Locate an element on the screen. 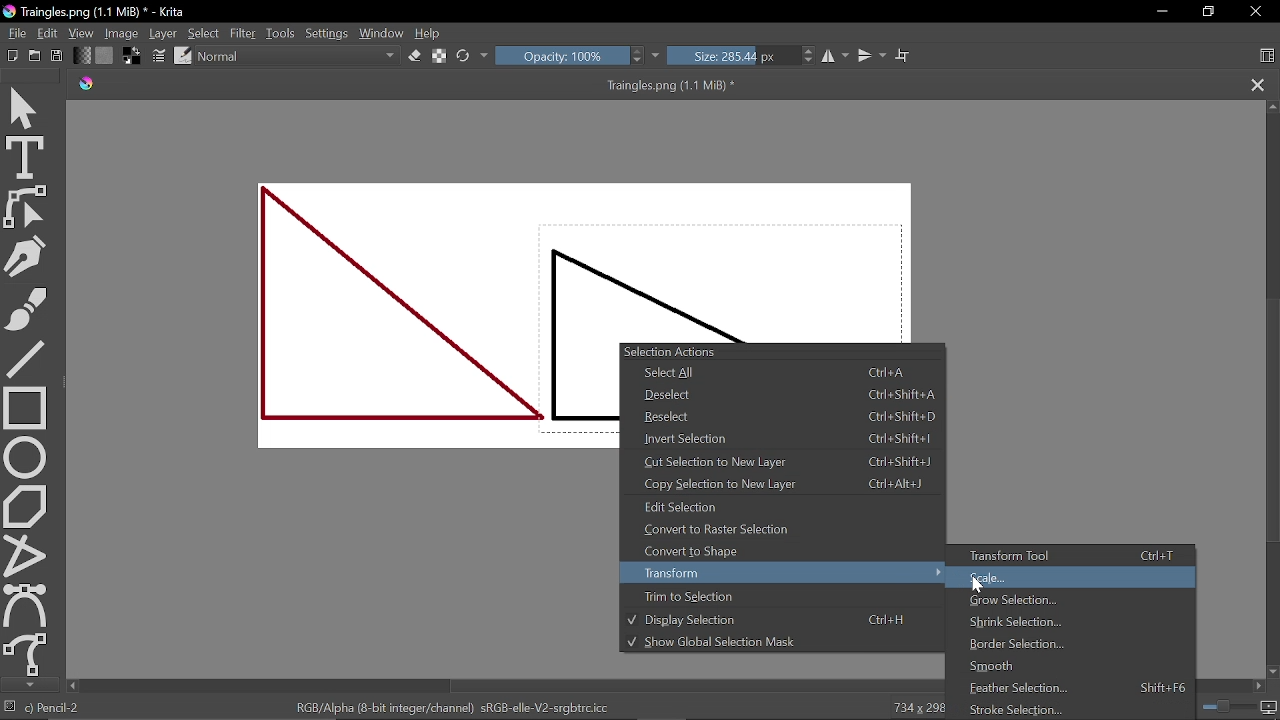 The image size is (1280, 720). Cursor is located at coordinates (979, 585).